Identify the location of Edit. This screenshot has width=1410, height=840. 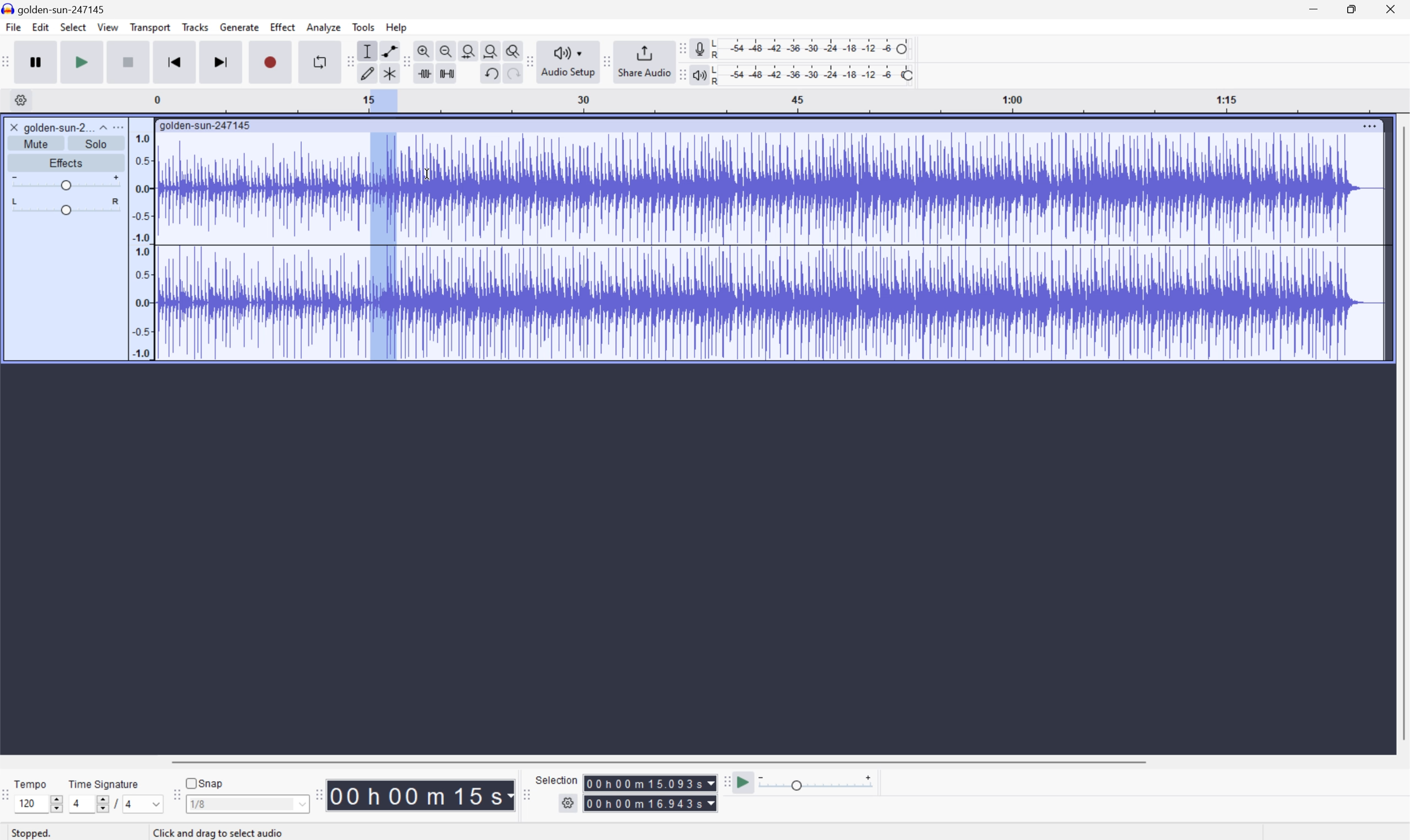
(41, 28).